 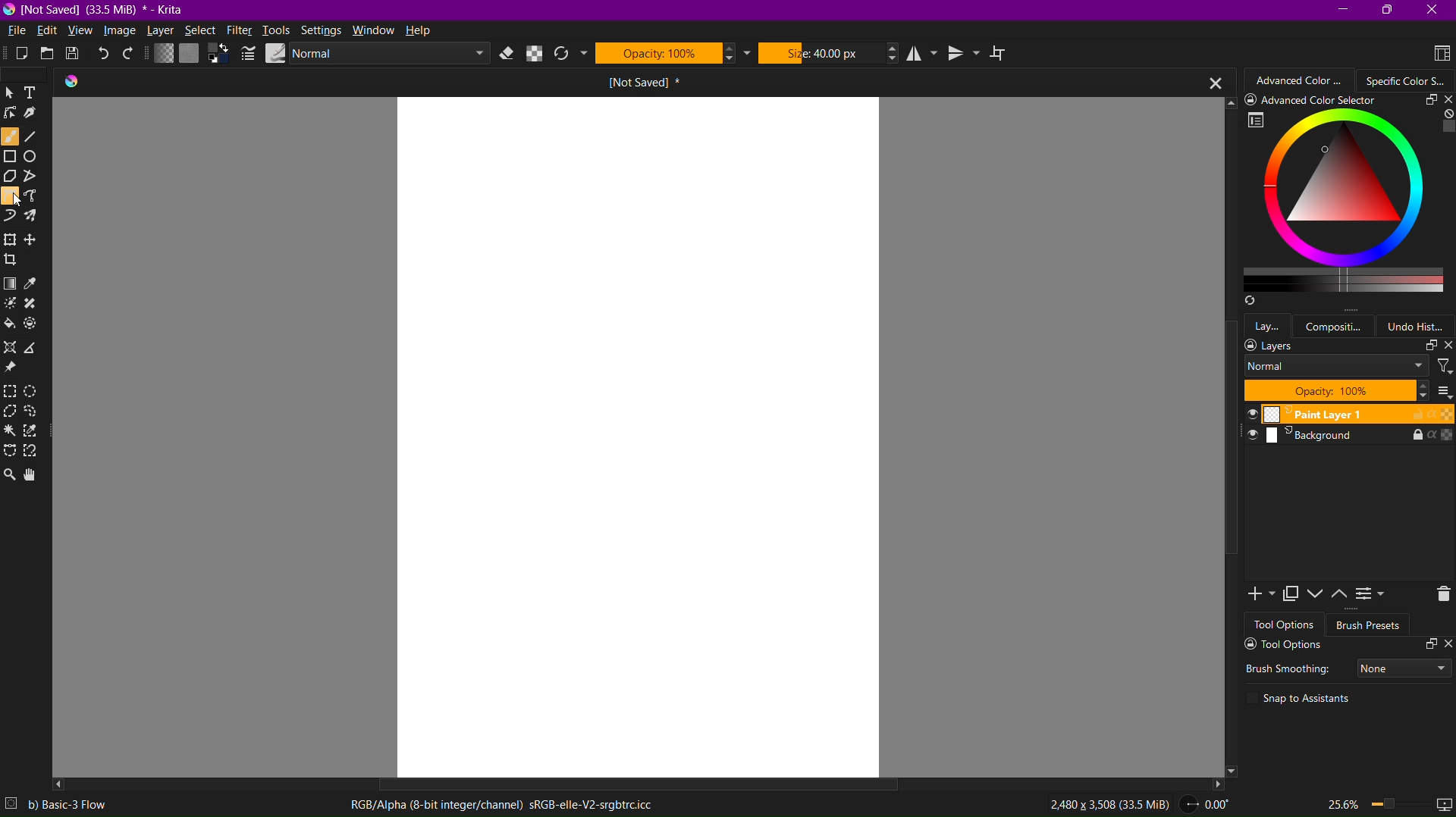 What do you see at coordinates (36, 326) in the screenshot?
I see `Enclose and fill tool` at bounding box center [36, 326].